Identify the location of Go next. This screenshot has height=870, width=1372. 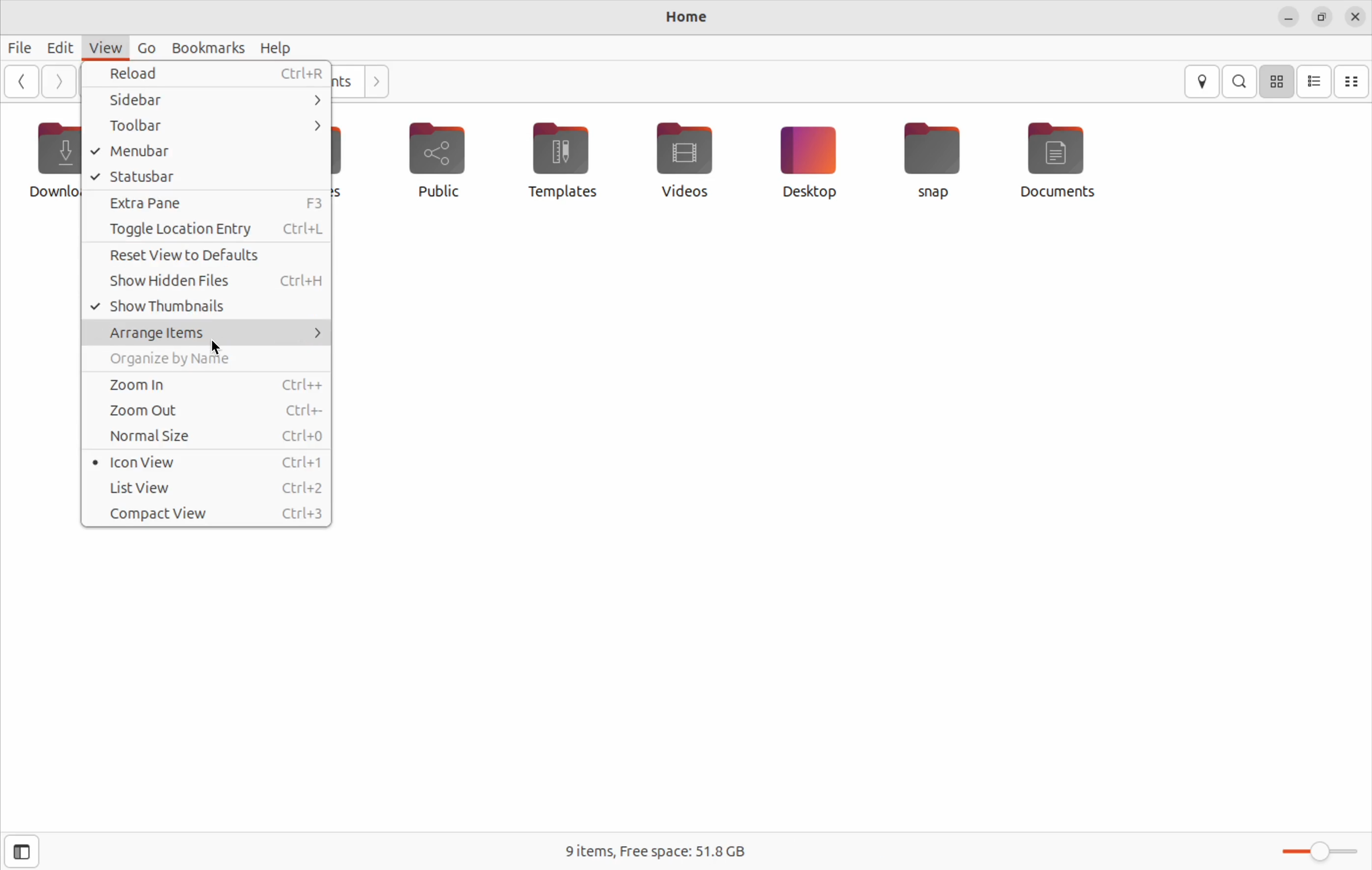
(375, 79).